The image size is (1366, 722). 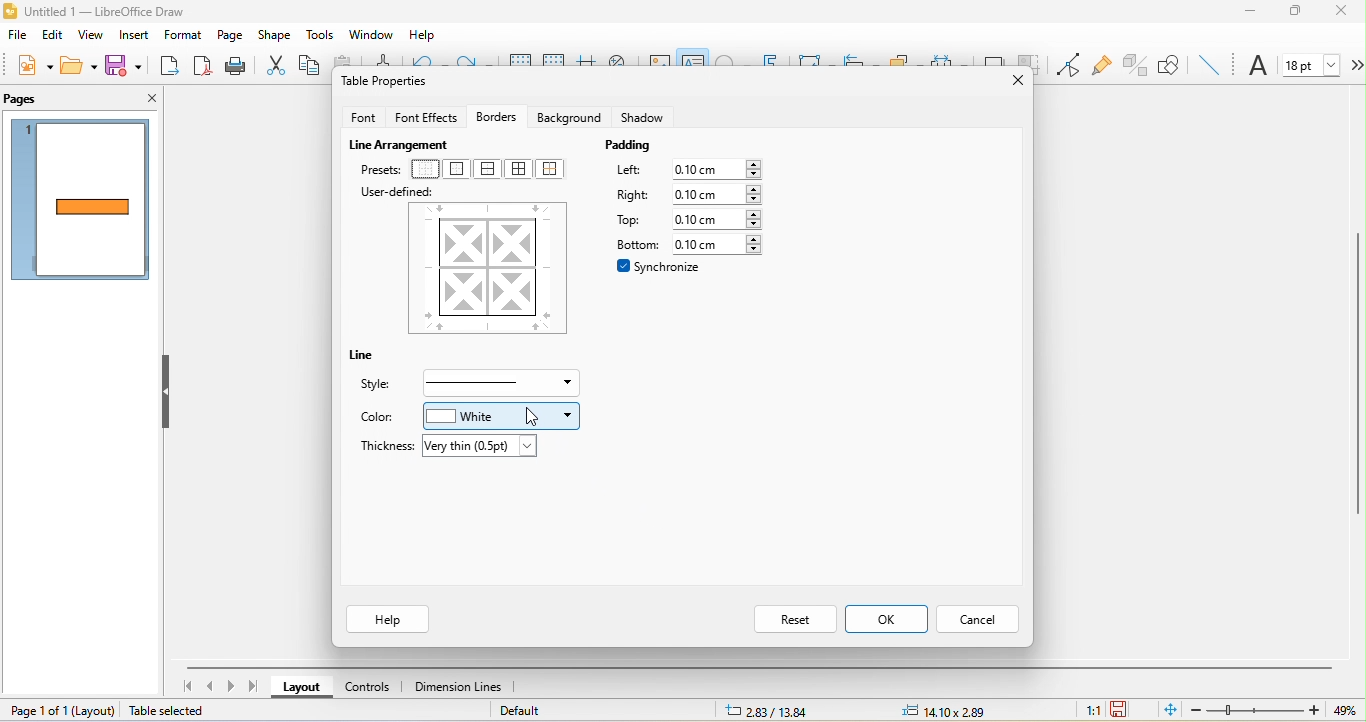 What do you see at coordinates (33, 64) in the screenshot?
I see `new` at bounding box center [33, 64].